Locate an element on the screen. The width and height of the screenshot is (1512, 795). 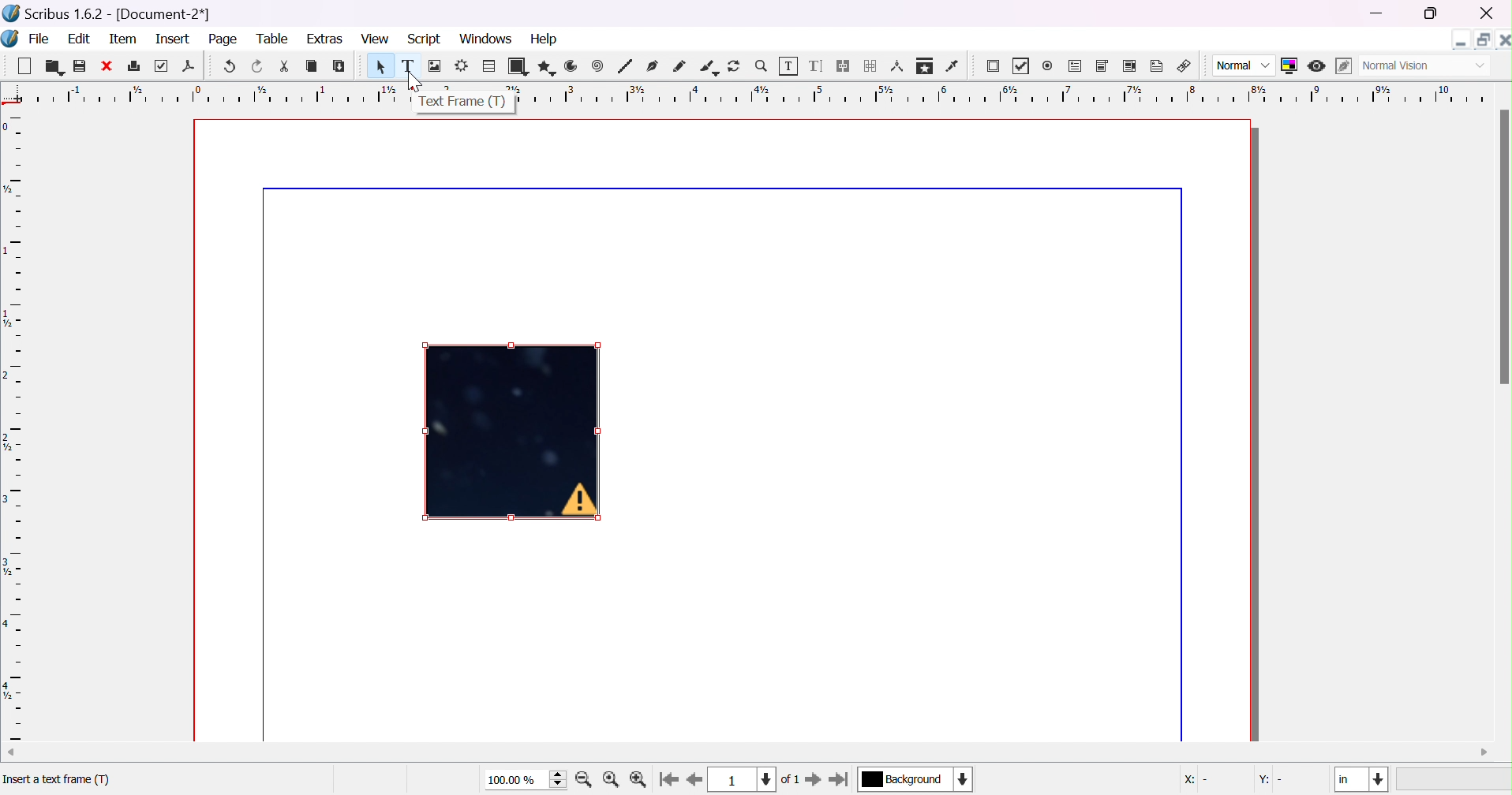
script is located at coordinates (425, 39).